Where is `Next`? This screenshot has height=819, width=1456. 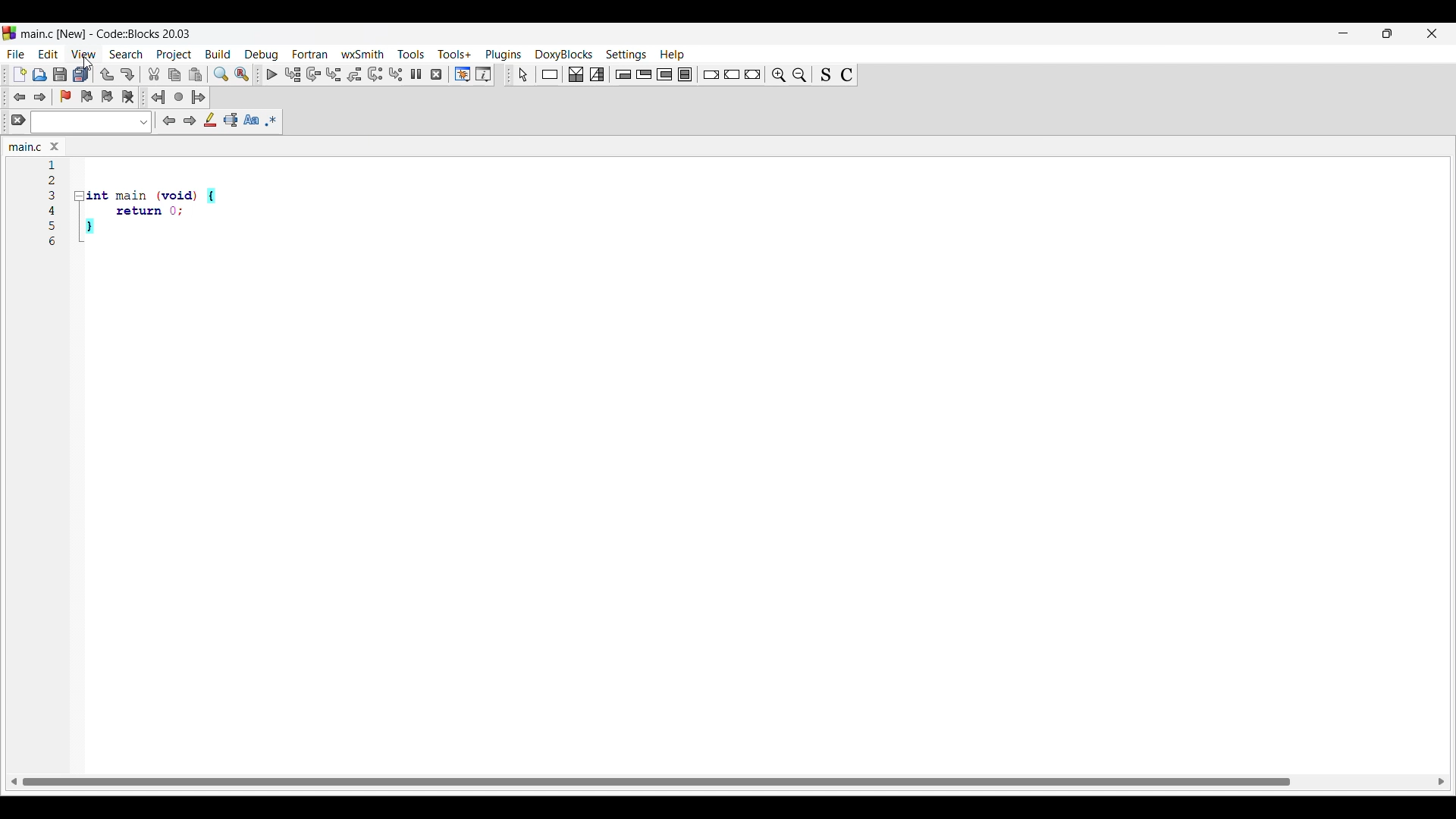
Next is located at coordinates (190, 121).